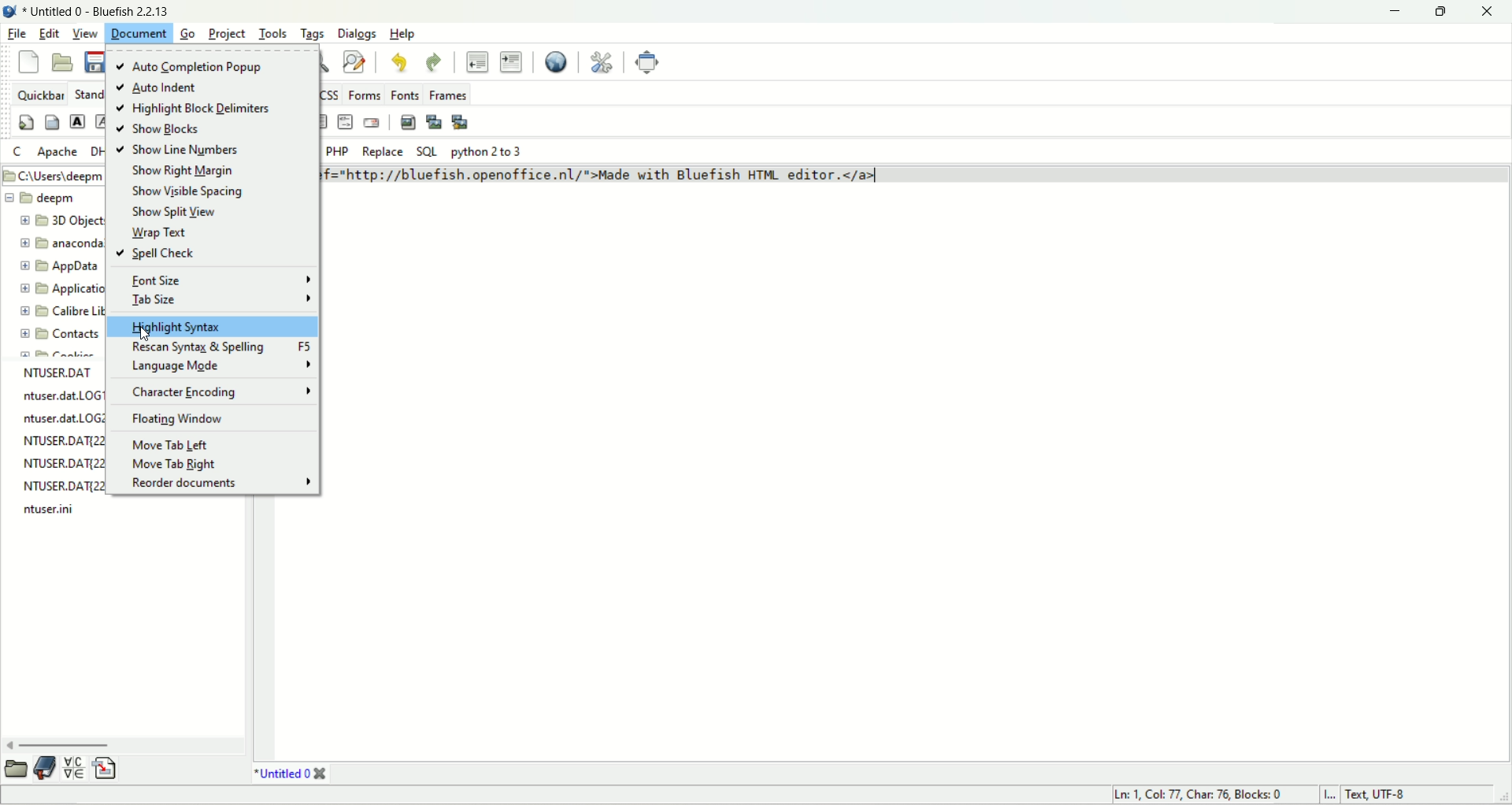 The height and width of the screenshot is (805, 1512). Describe the element at coordinates (176, 212) in the screenshot. I see `show split view` at that location.